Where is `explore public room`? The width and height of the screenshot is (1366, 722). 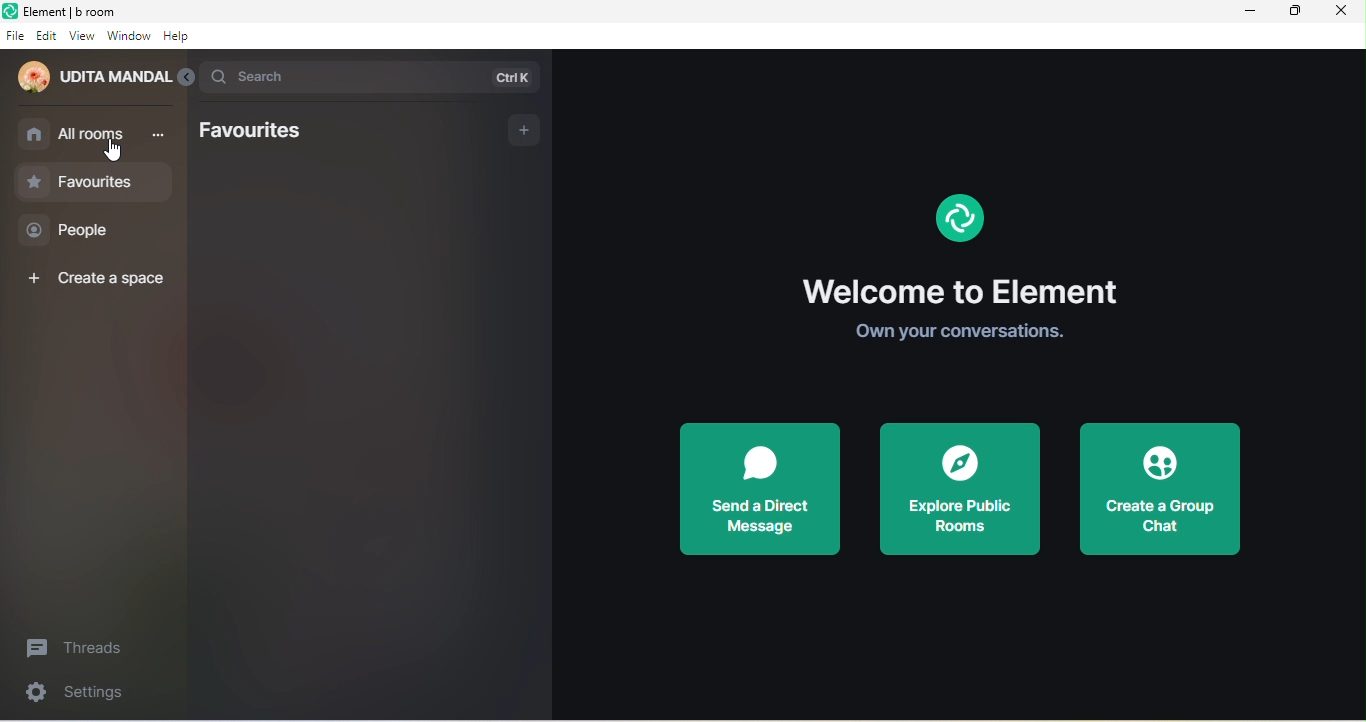 explore public room is located at coordinates (963, 488).